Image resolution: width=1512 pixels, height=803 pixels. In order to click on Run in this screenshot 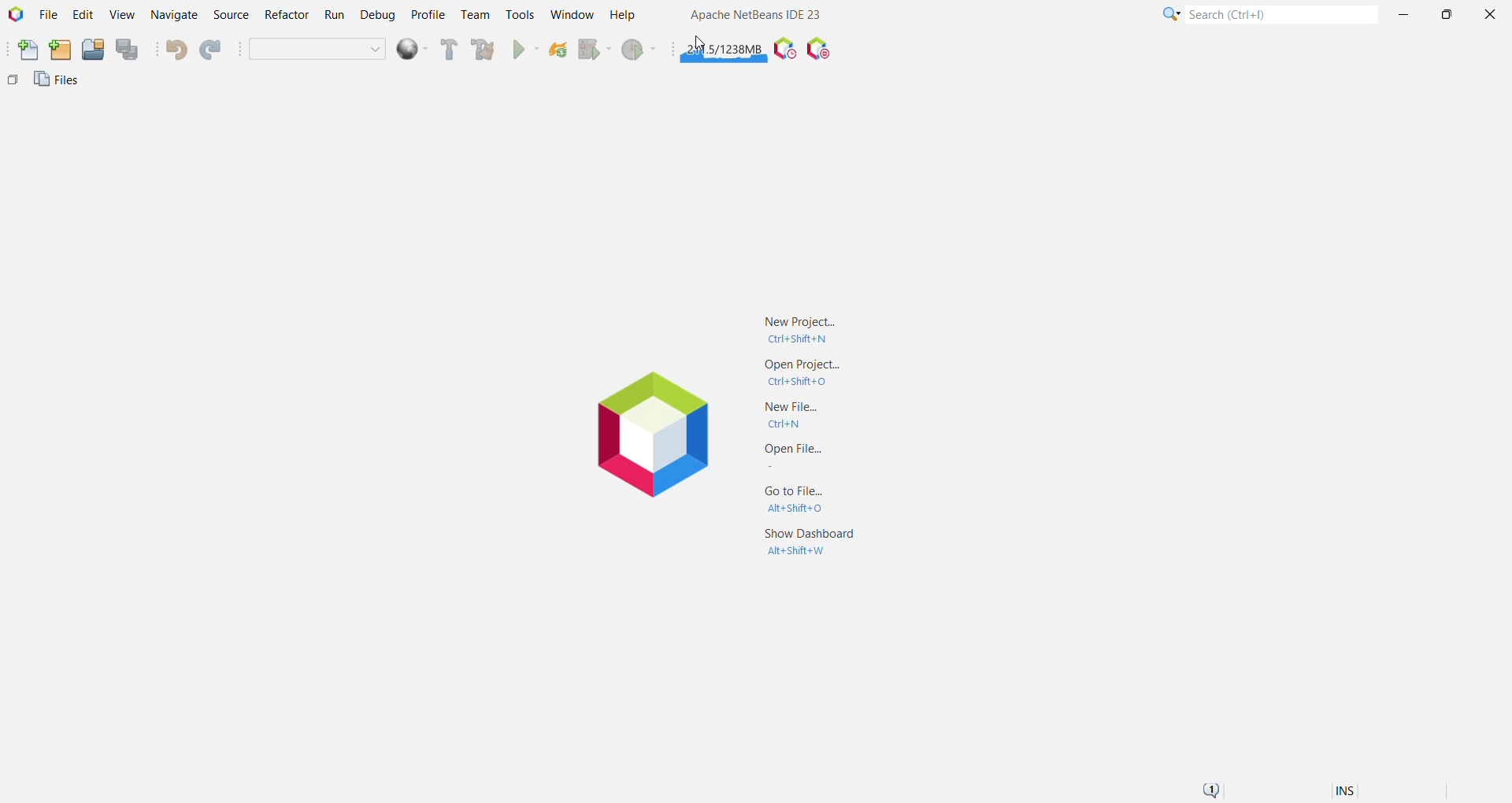, I will do `click(526, 51)`.